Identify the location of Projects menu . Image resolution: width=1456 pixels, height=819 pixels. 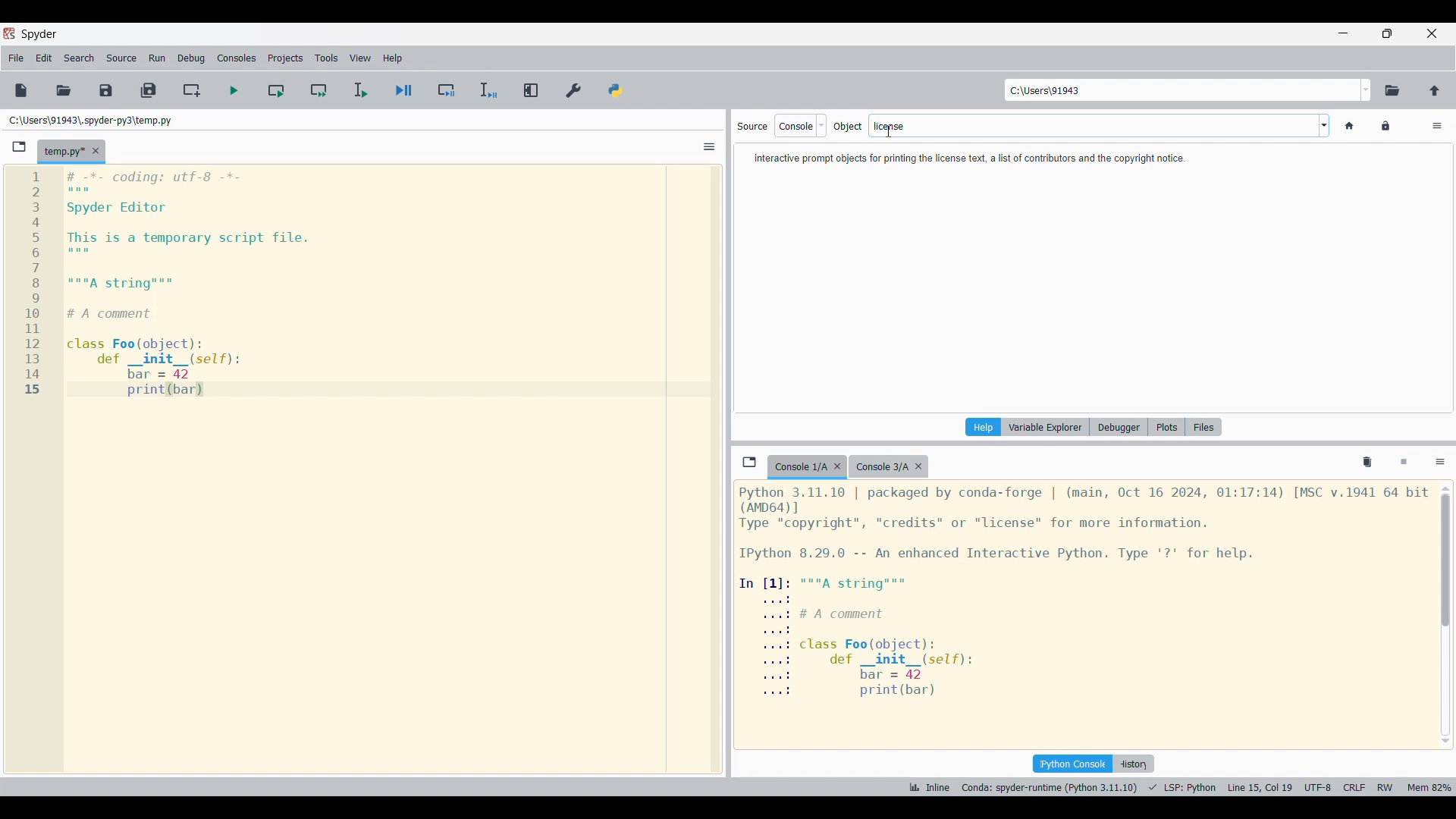
(285, 58).